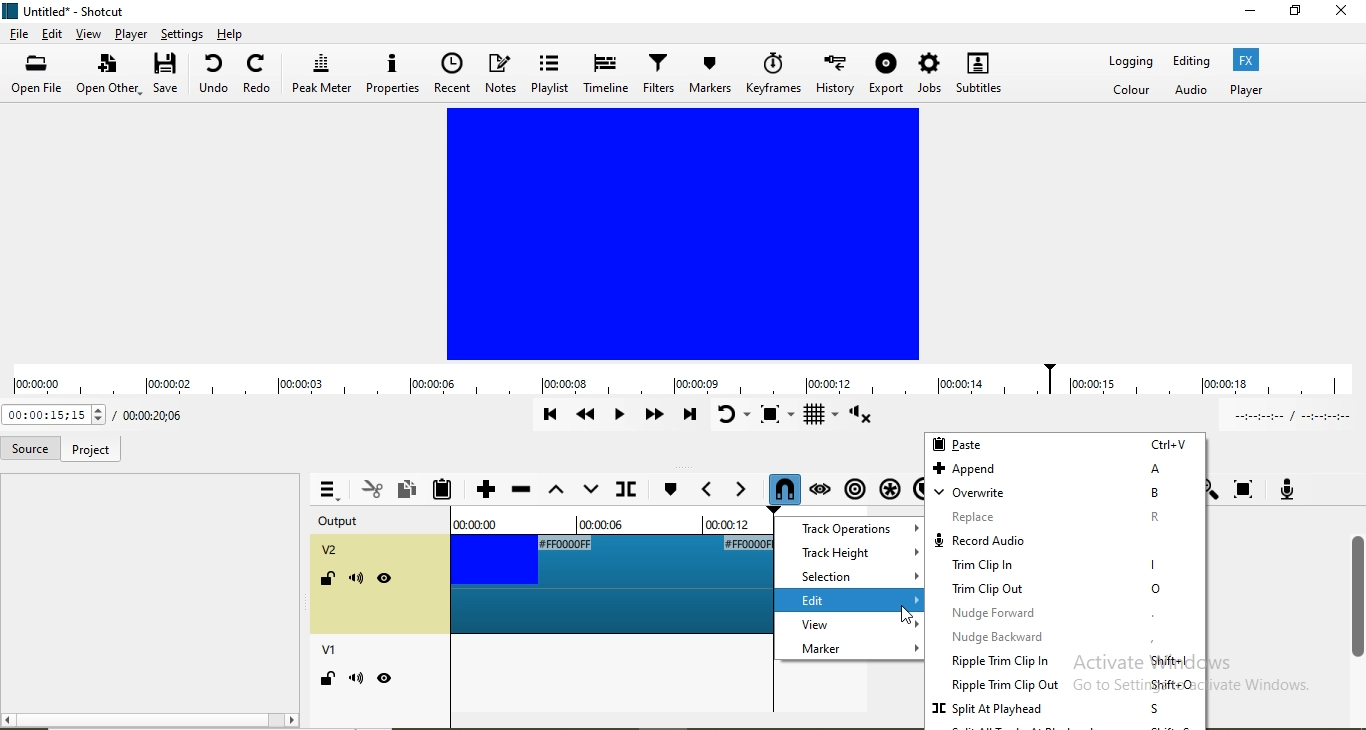 The height and width of the screenshot is (730, 1366). What do you see at coordinates (232, 33) in the screenshot?
I see `help` at bounding box center [232, 33].